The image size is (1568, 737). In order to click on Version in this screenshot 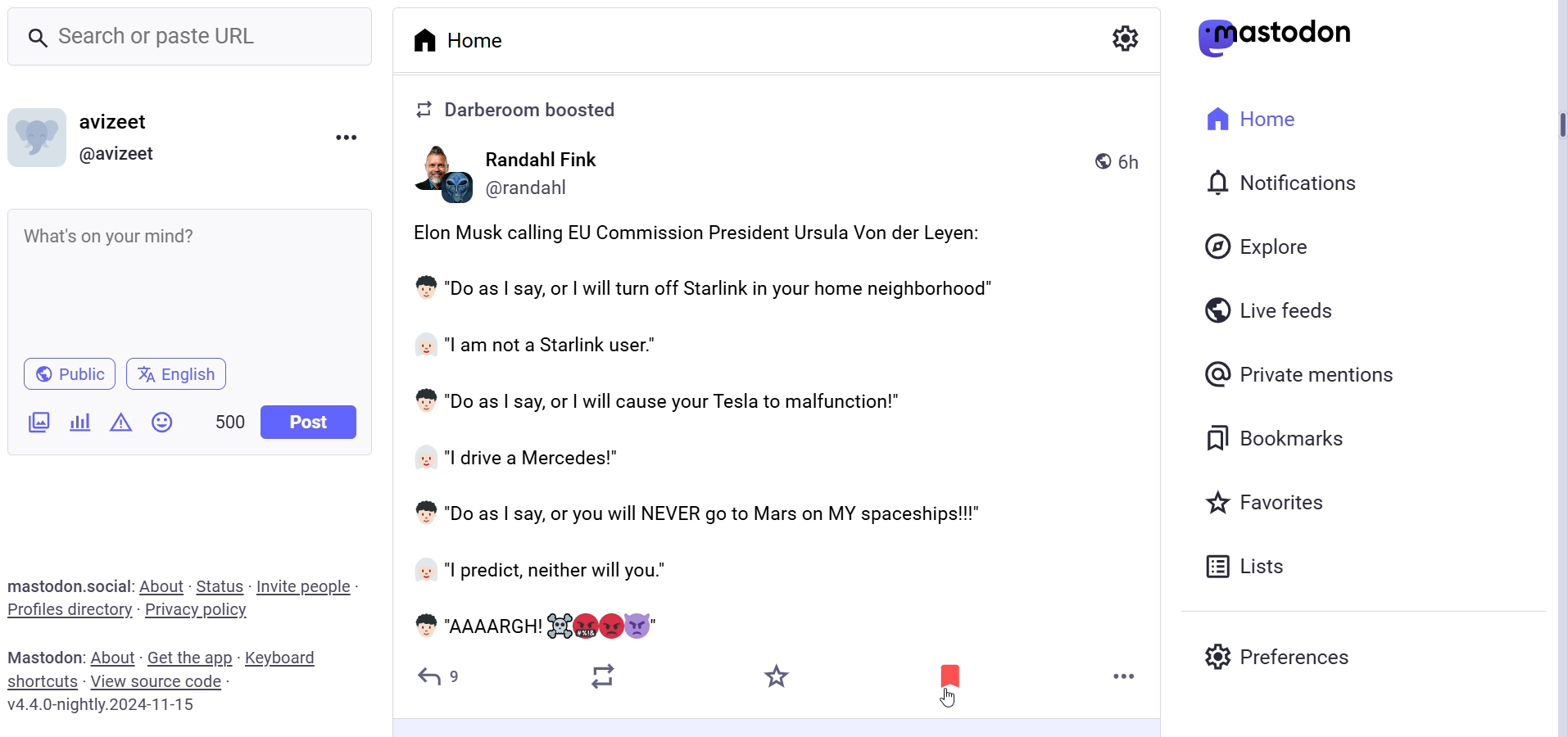, I will do `click(103, 704)`.